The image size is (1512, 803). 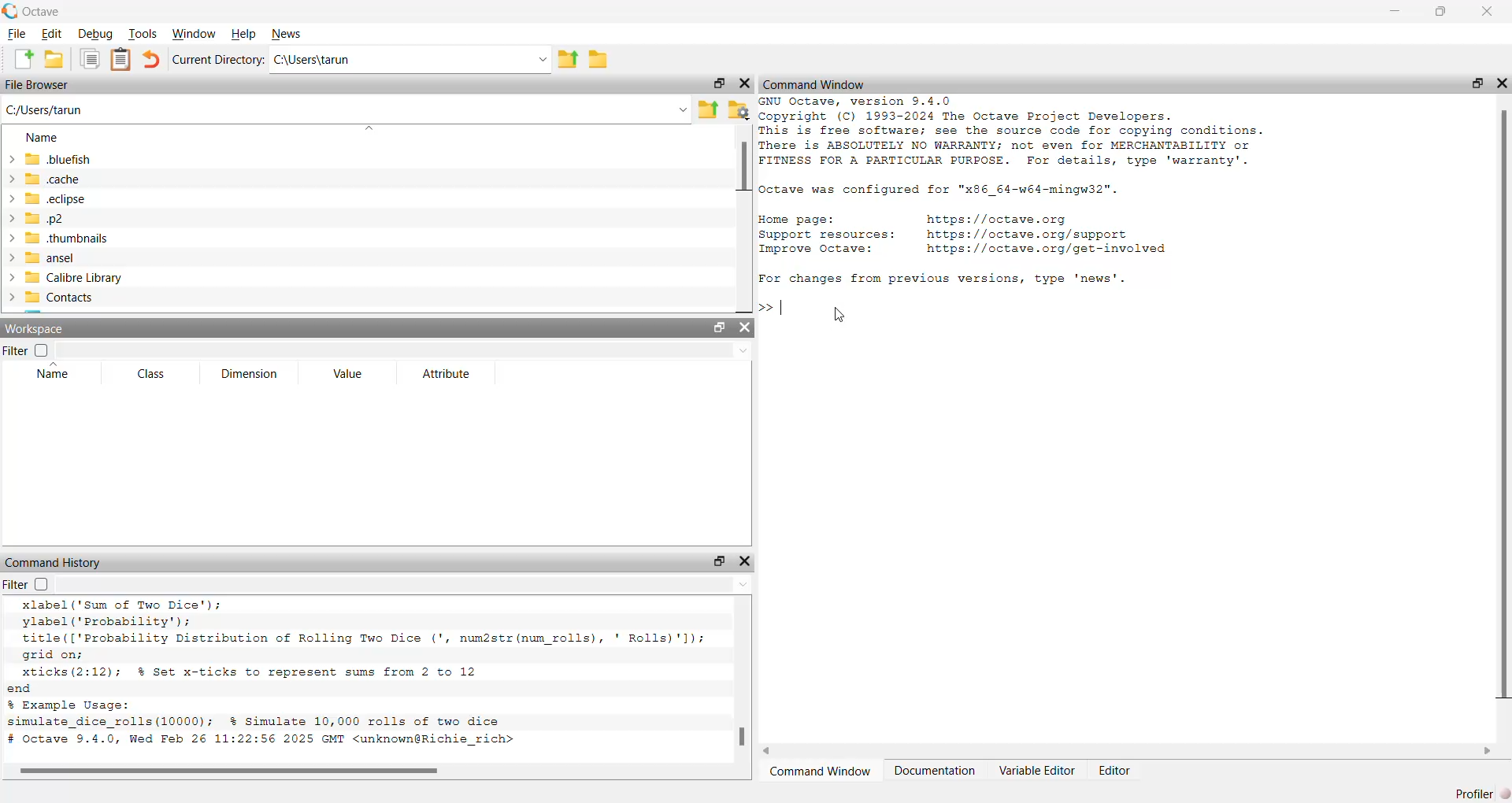 I want to click on File up, so click(x=565, y=60).